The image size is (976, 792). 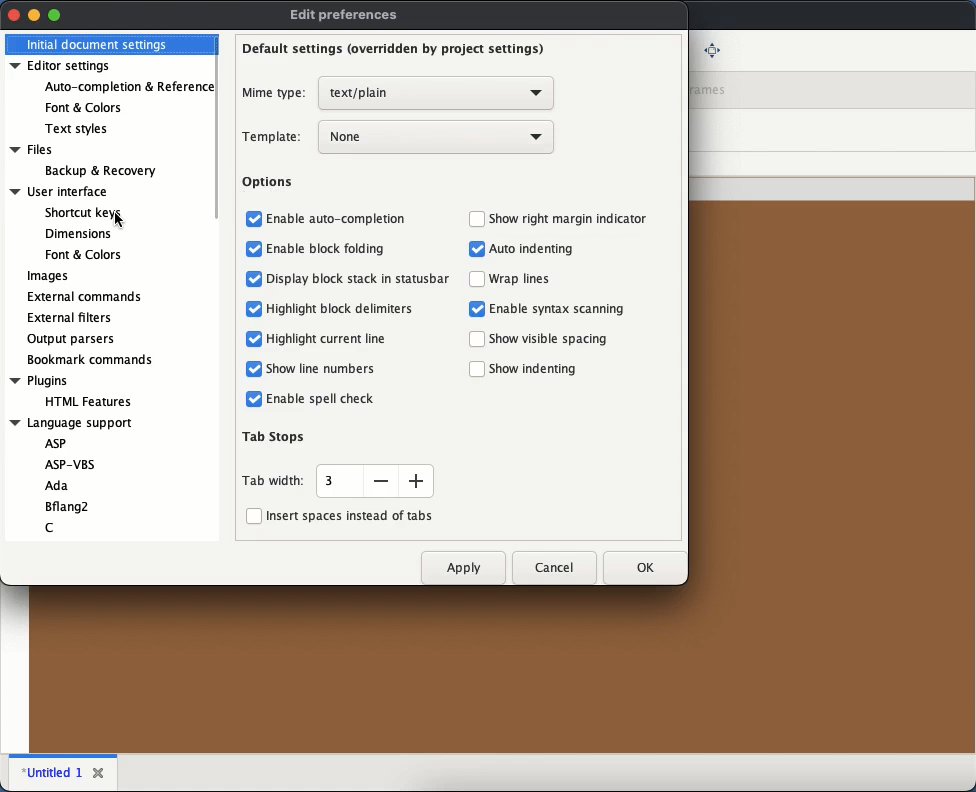 What do you see at coordinates (121, 220) in the screenshot?
I see `cursor` at bounding box center [121, 220].